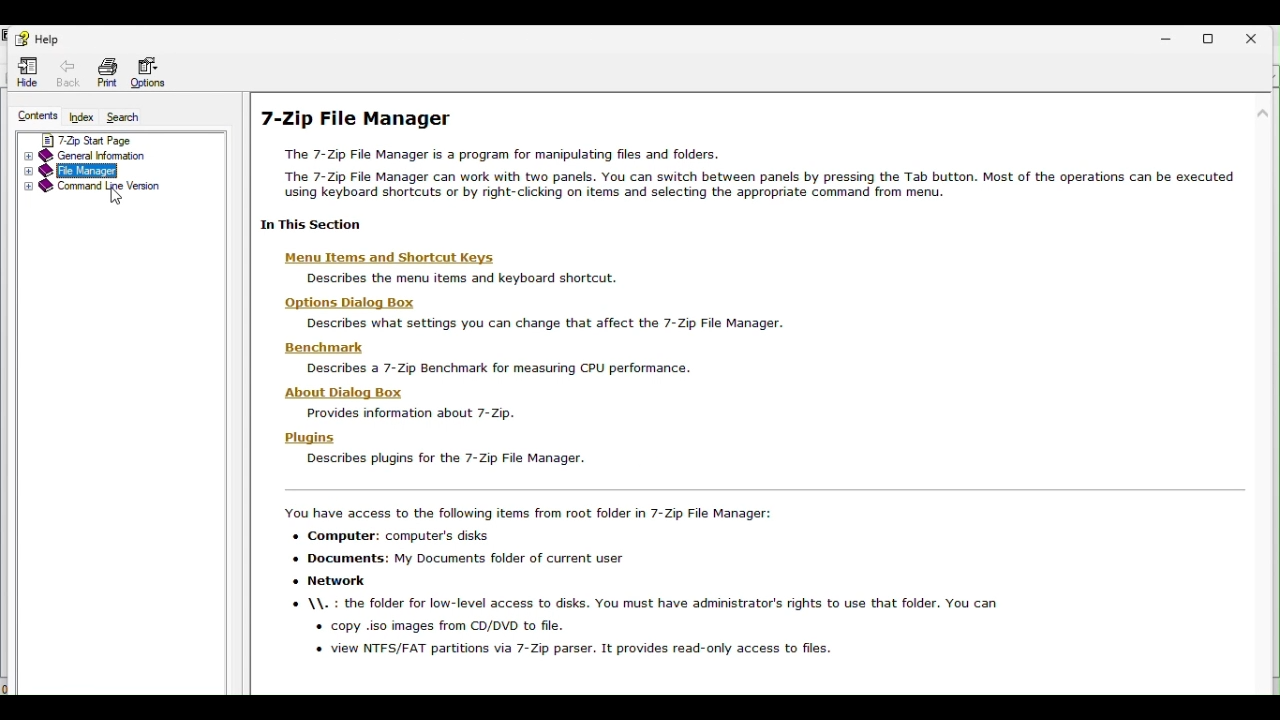 Image resolution: width=1280 pixels, height=720 pixels. I want to click on General information, so click(104, 155).